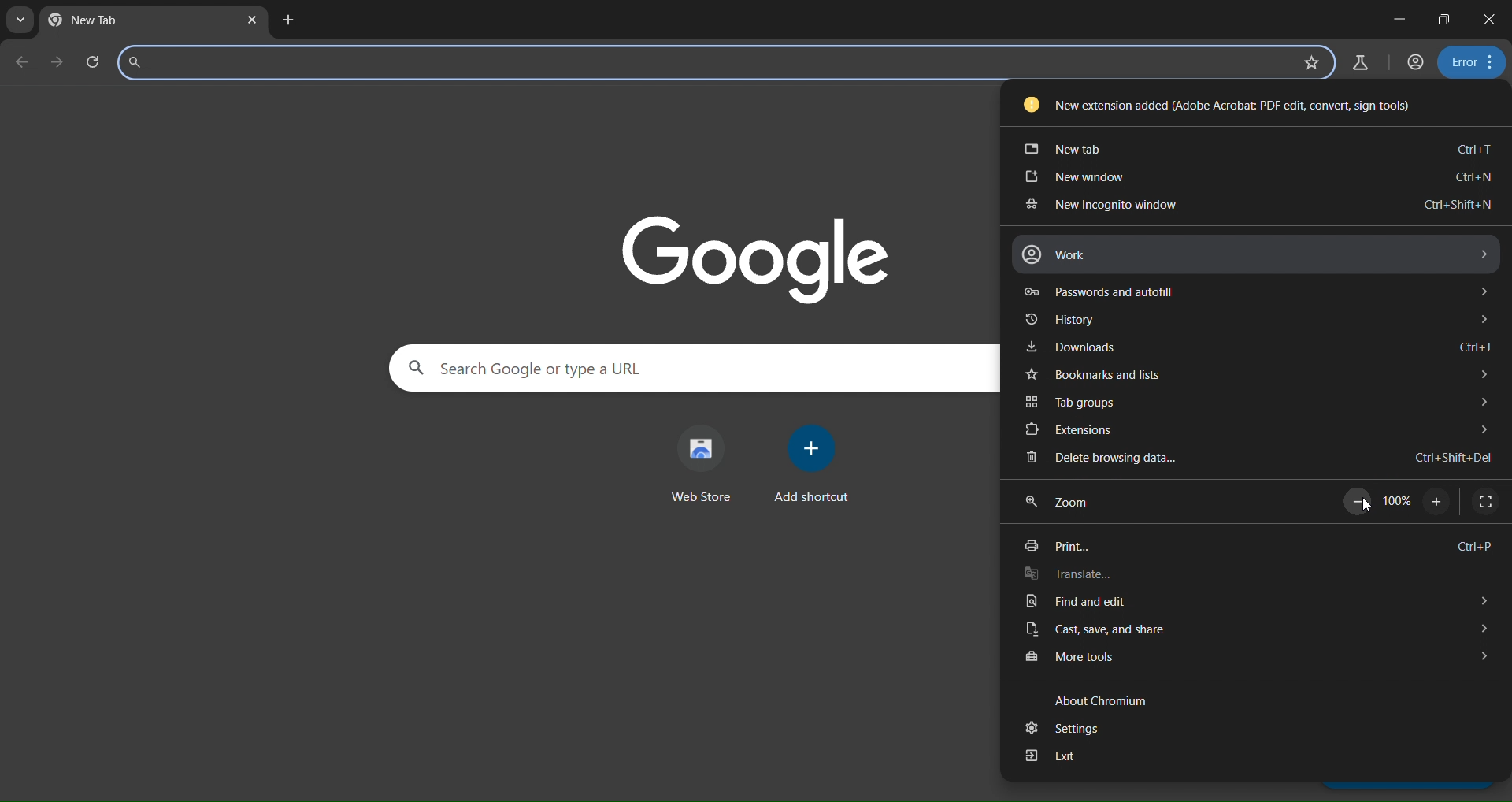 Image resolution: width=1512 pixels, height=802 pixels. Describe the element at coordinates (1445, 19) in the screenshot. I see `restore down` at that location.